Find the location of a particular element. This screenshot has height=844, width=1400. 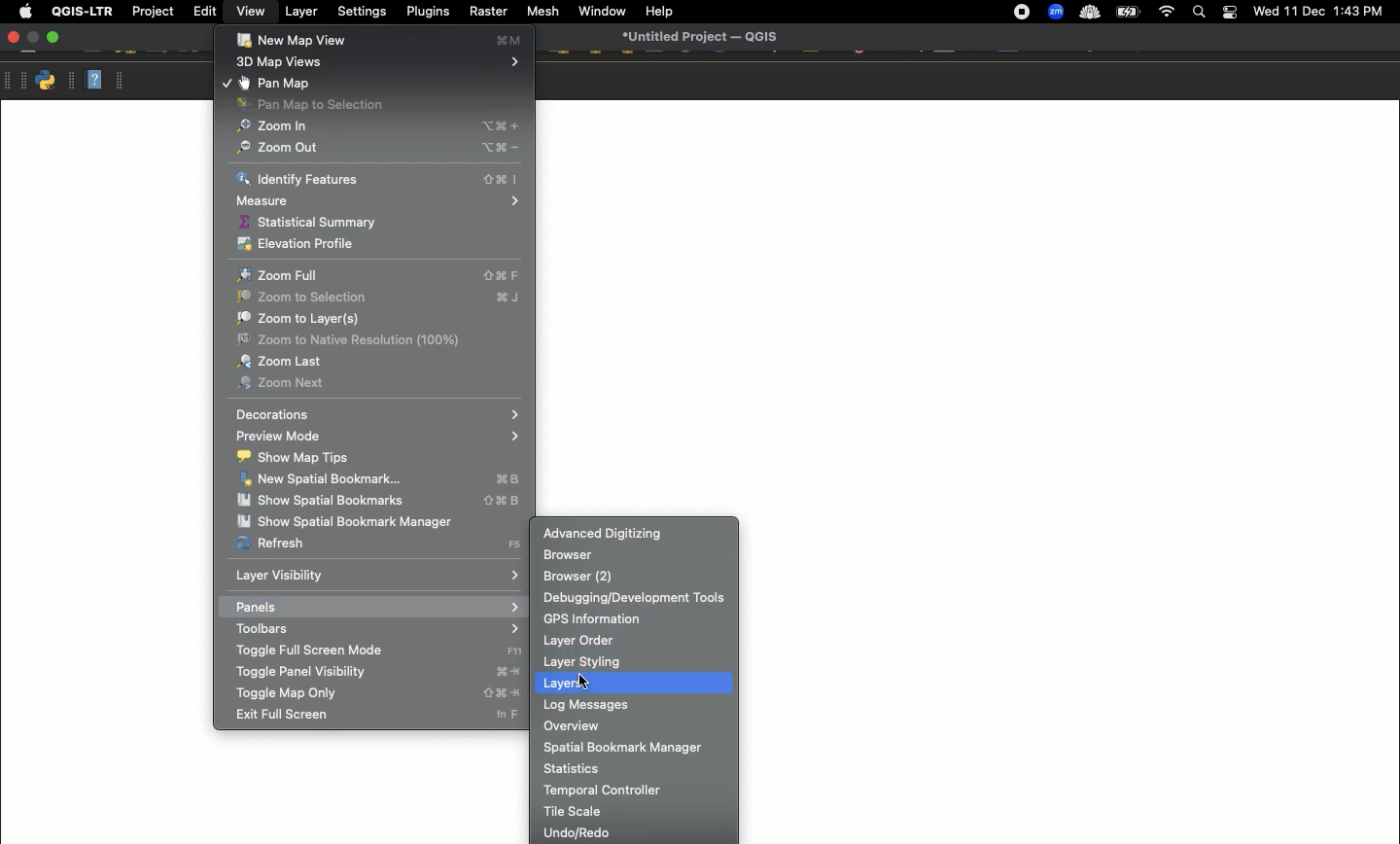

Measure is located at coordinates (381, 200).